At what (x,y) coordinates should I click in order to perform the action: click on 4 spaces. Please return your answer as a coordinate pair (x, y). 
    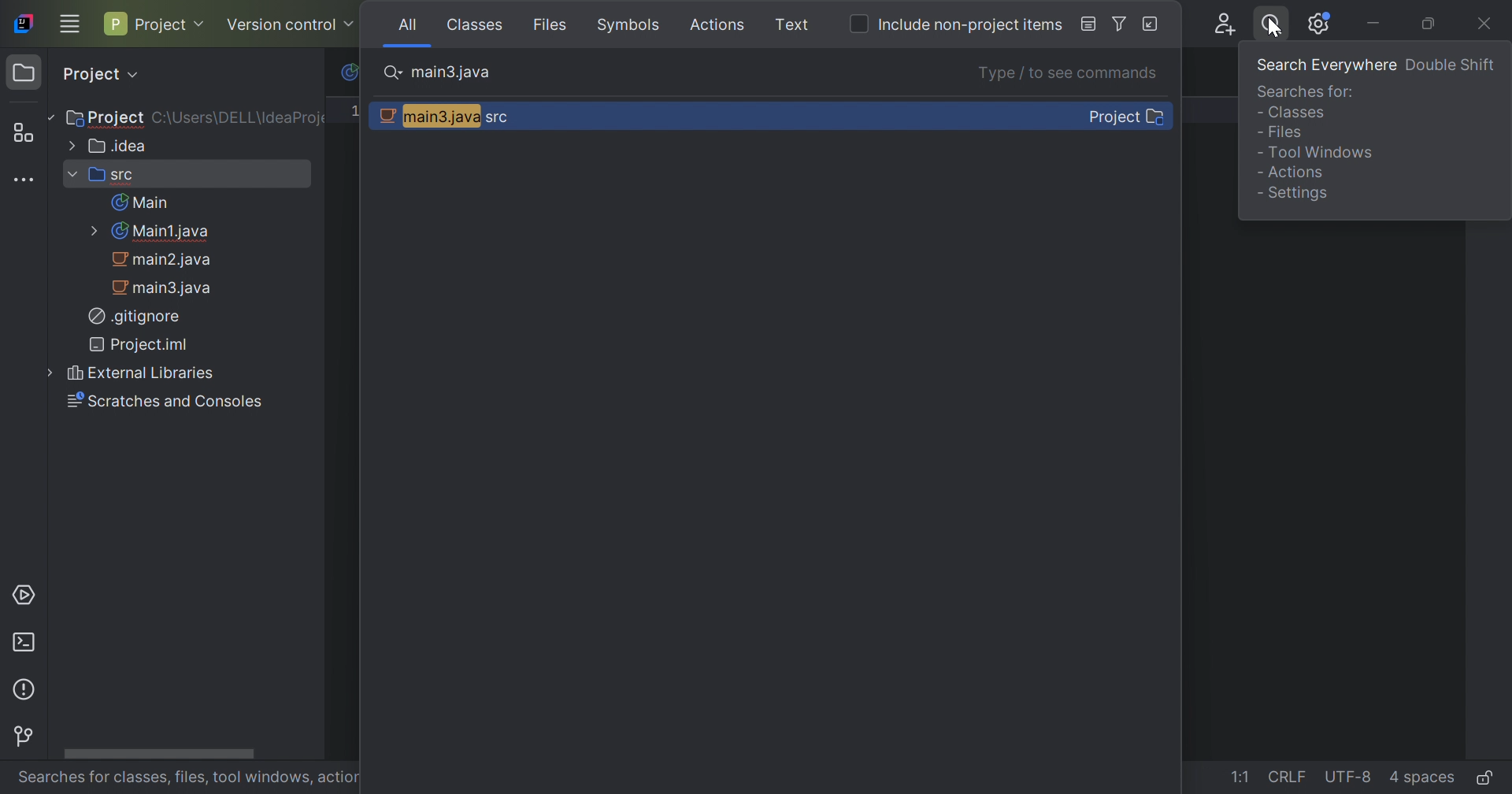
    Looking at the image, I should click on (1421, 778).